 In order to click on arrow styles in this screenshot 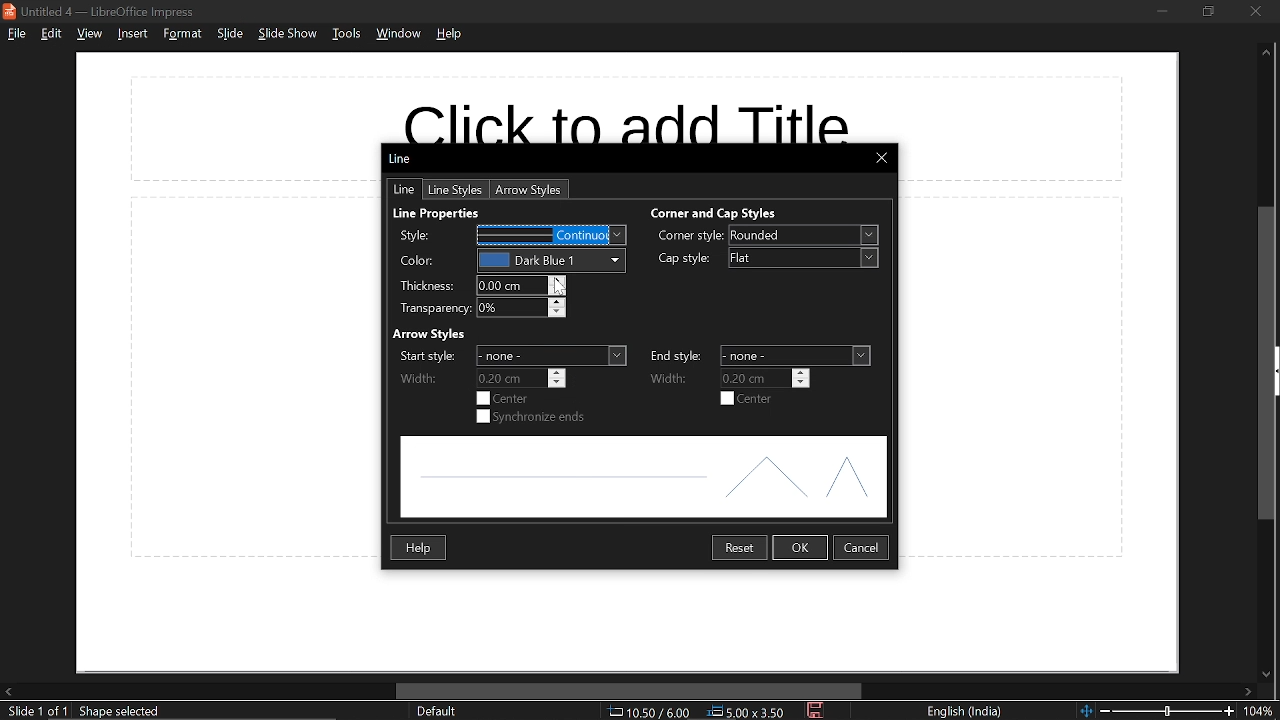, I will do `click(529, 190)`.